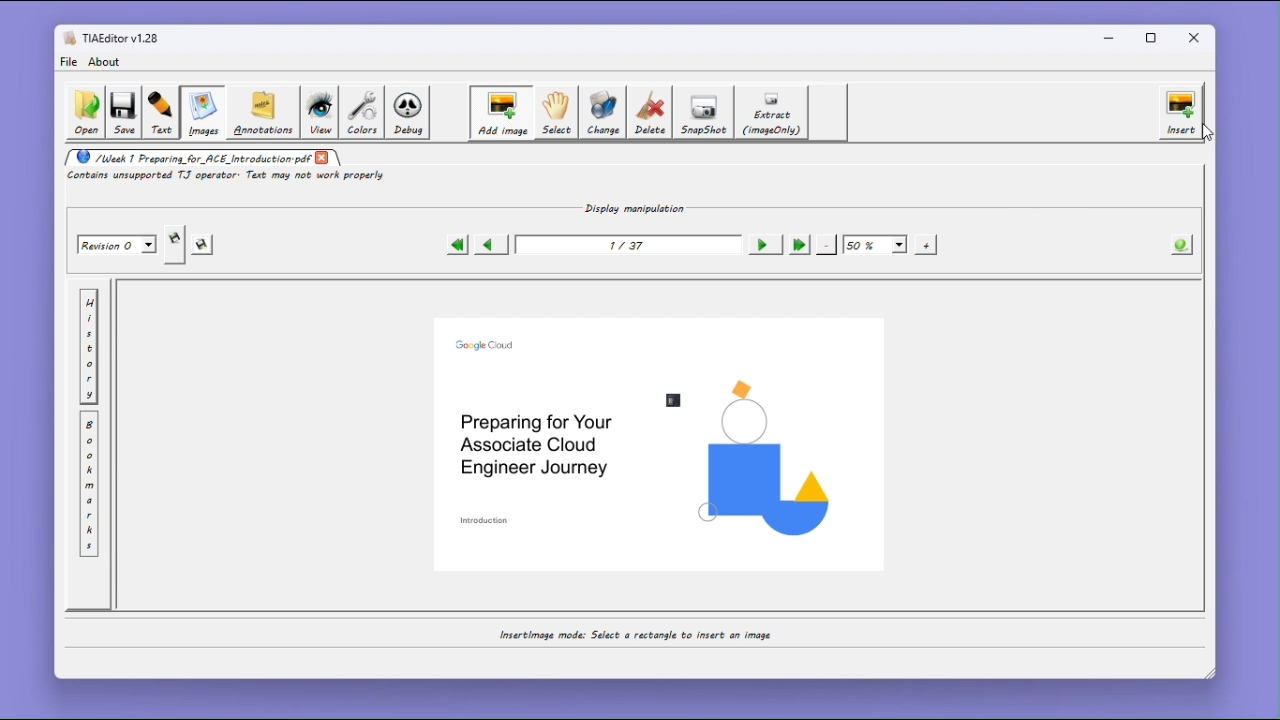 The width and height of the screenshot is (1280, 720). What do you see at coordinates (798, 245) in the screenshot?
I see `Last page` at bounding box center [798, 245].